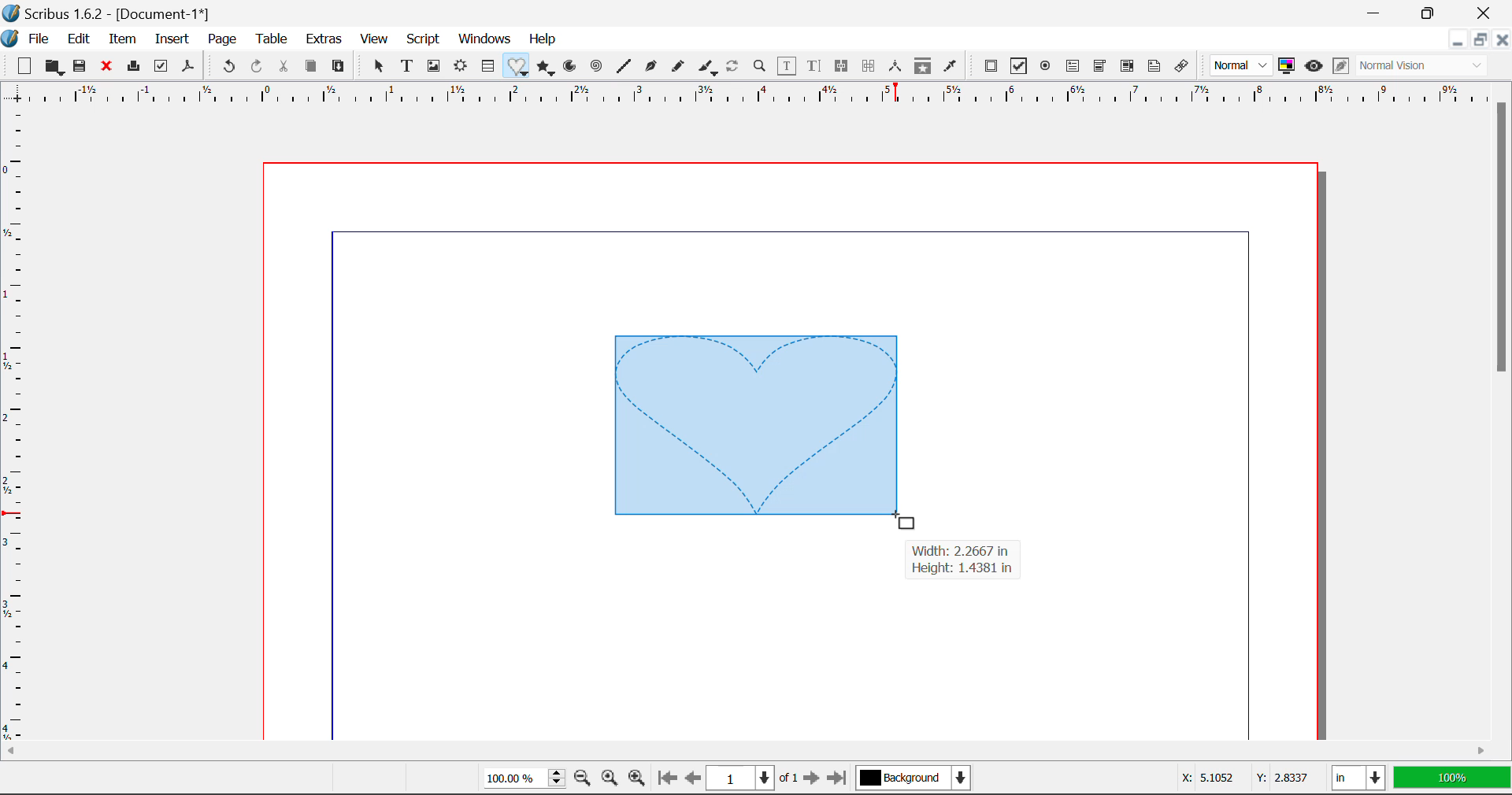 This screenshot has height=795, width=1512. Describe the element at coordinates (897, 67) in the screenshot. I see `Measurements` at that location.